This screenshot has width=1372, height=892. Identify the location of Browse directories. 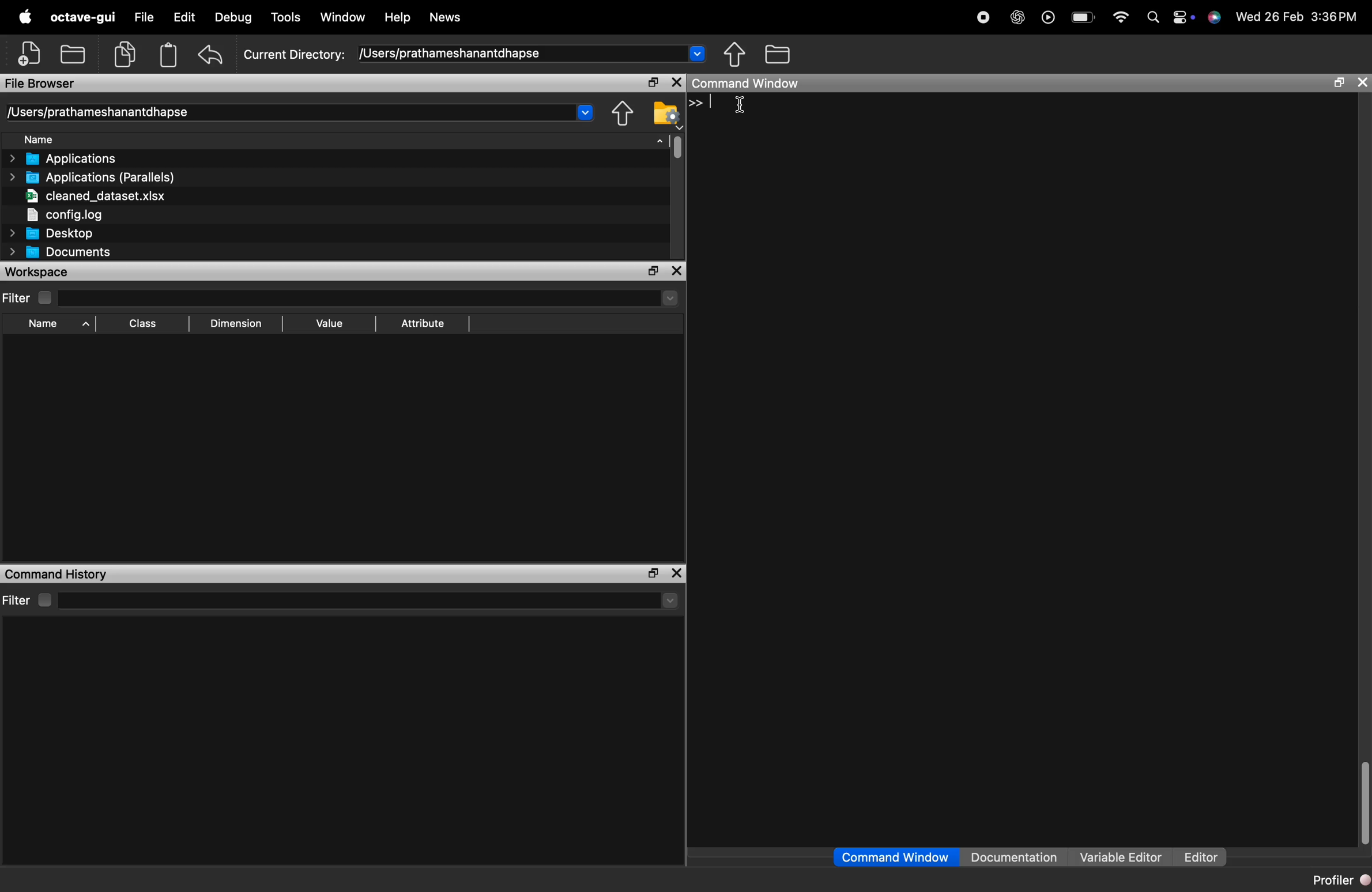
(622, 115).